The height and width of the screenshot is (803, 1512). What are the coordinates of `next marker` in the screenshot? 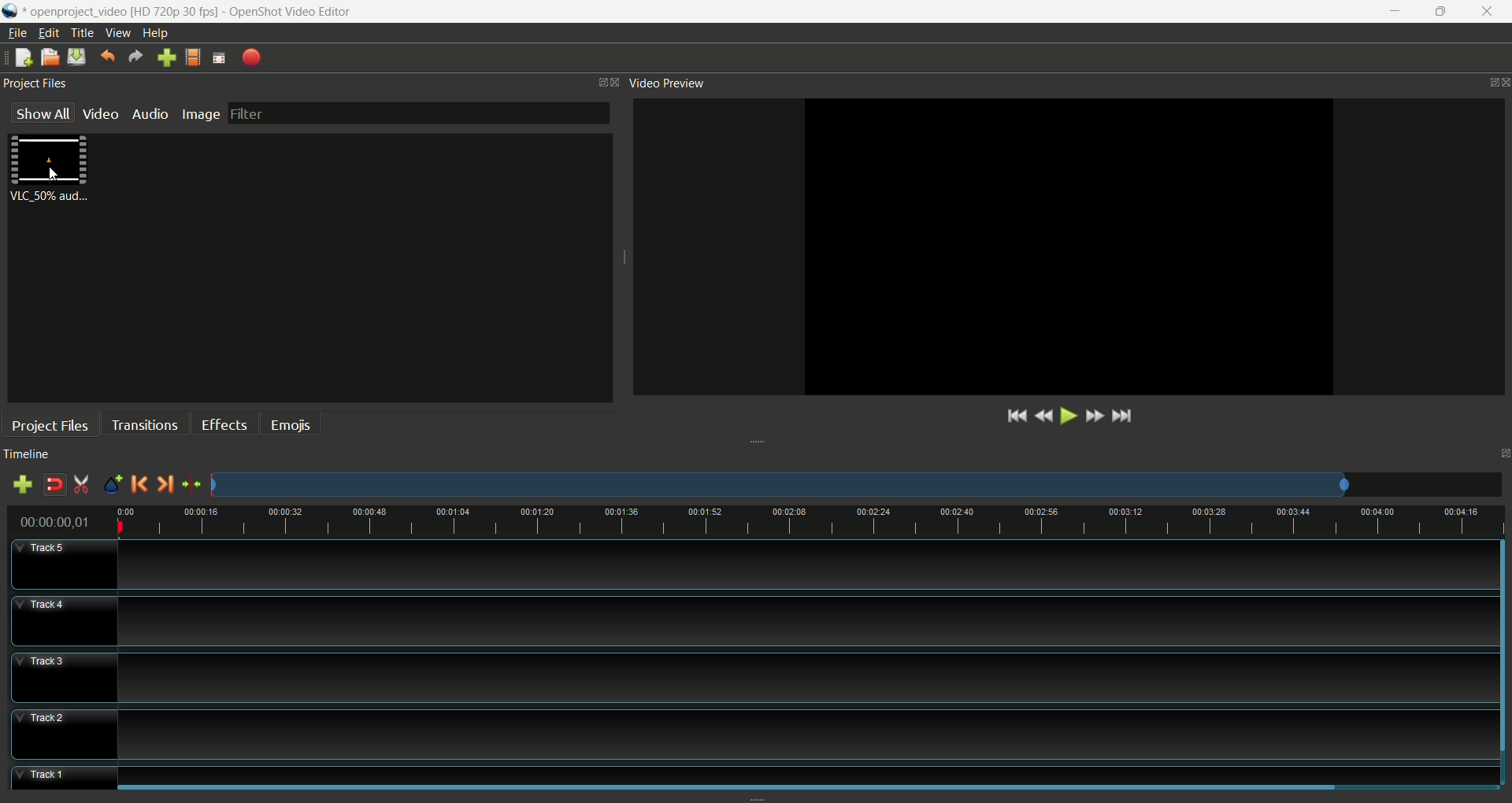 It's located at (165, 484).